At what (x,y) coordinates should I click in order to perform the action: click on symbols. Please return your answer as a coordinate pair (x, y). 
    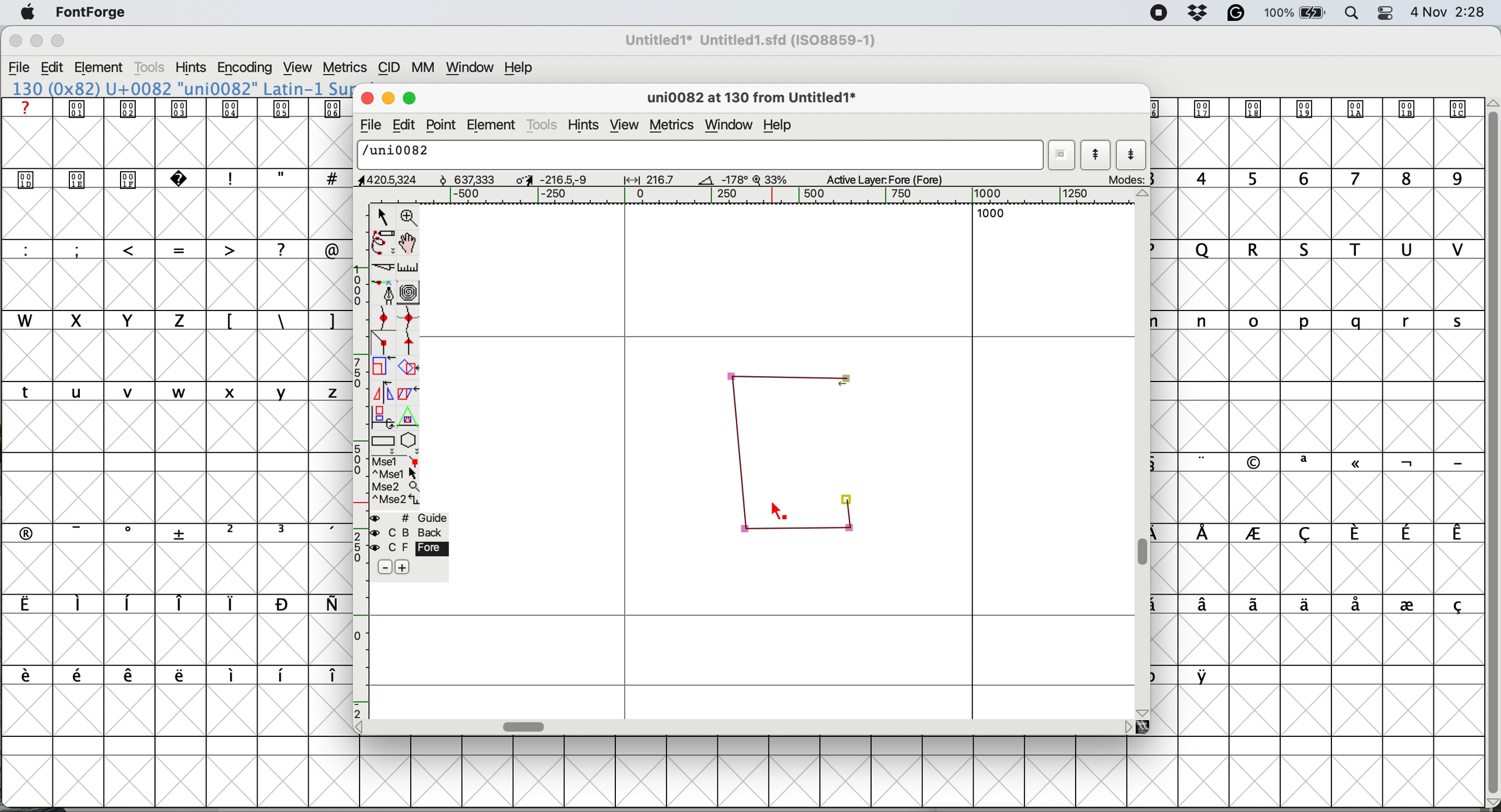
    Looking at the image, I should click on (1331, 463).